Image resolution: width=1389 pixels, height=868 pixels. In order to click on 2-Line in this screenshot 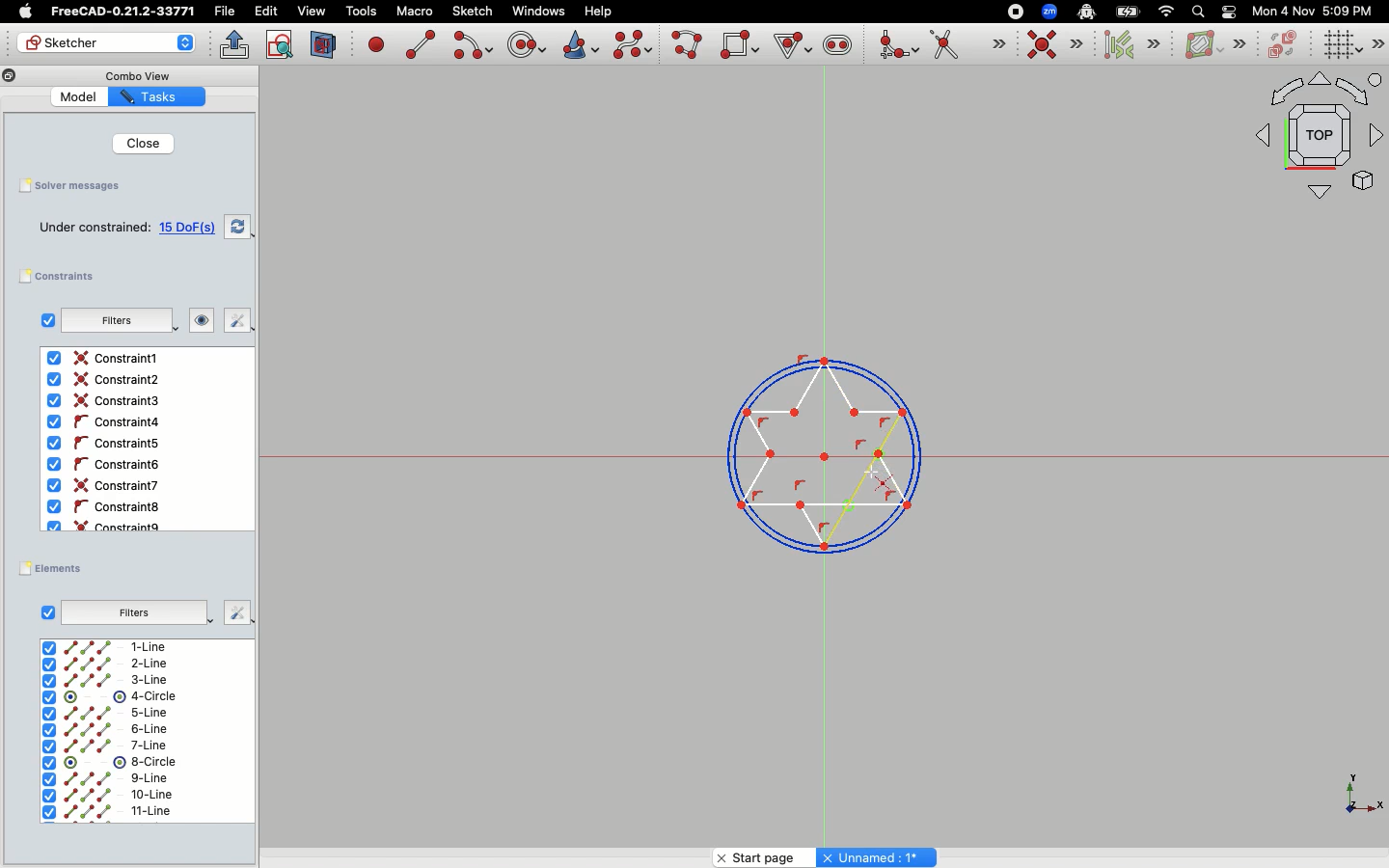, I will do `click(118, 664)`.